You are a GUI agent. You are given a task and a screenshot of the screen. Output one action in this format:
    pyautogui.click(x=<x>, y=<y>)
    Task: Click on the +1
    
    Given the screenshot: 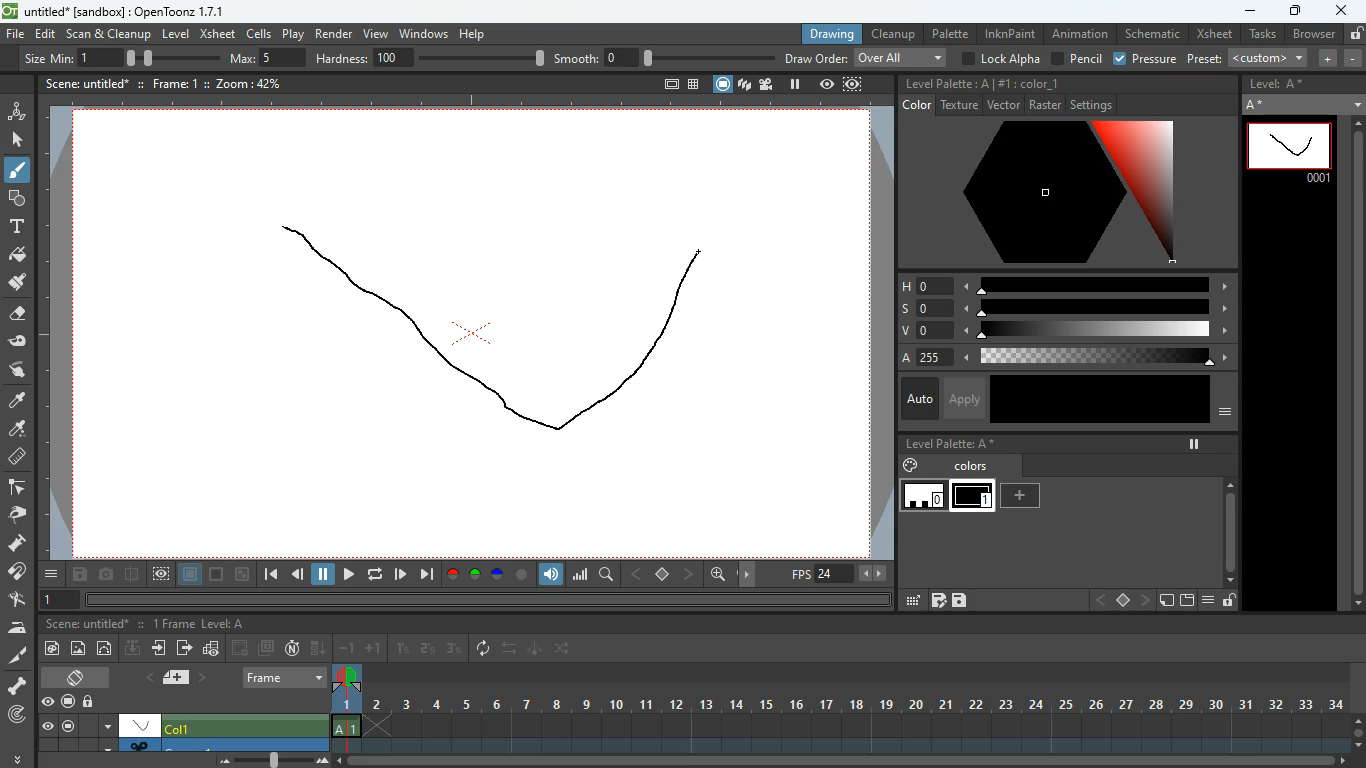 What is the action you would take?
    pyautogui.click(x=374, y=649)
    